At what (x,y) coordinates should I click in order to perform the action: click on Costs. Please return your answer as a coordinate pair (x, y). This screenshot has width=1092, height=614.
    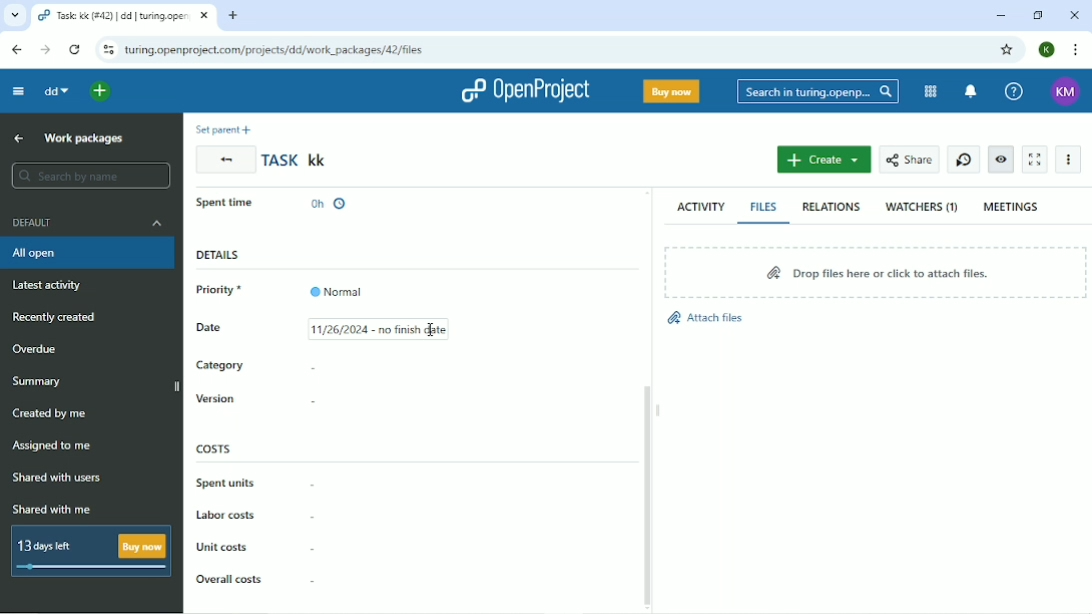
    Looking at the image, I should click on (215, 448).